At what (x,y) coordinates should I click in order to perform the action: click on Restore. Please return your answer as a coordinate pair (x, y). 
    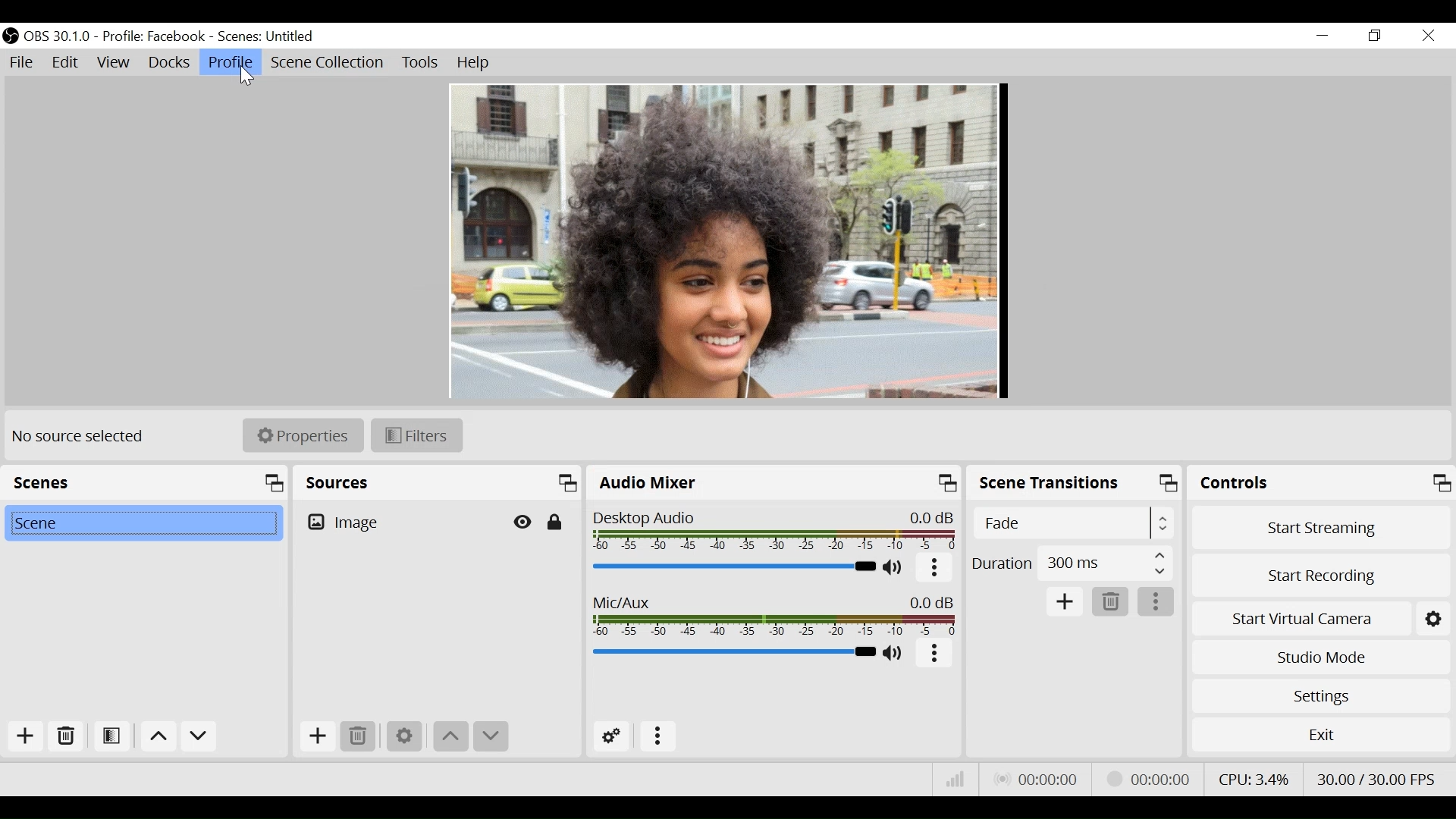
    Looking at the image, I should click on (1373, 36).